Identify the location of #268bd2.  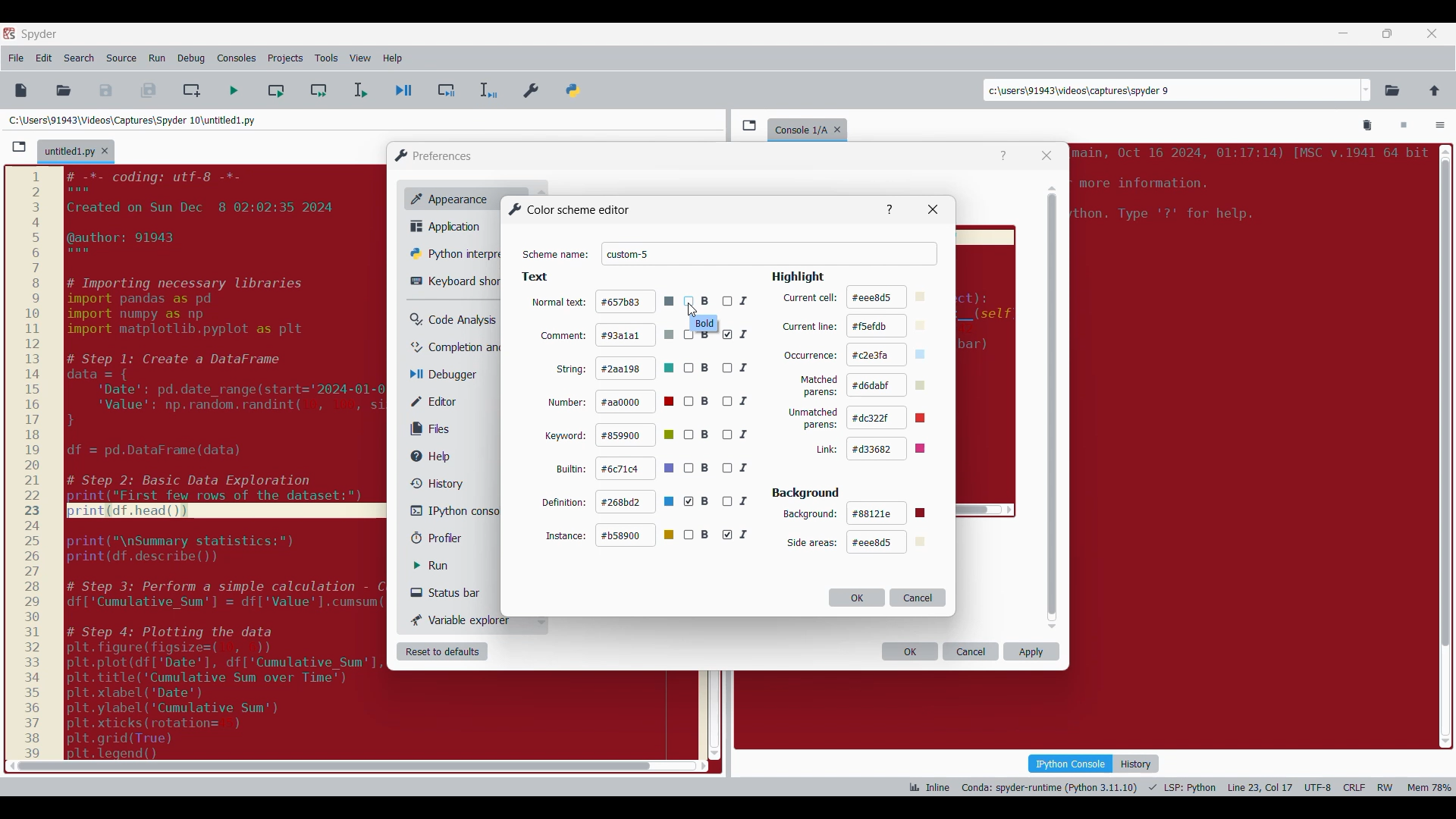
(636, 503).